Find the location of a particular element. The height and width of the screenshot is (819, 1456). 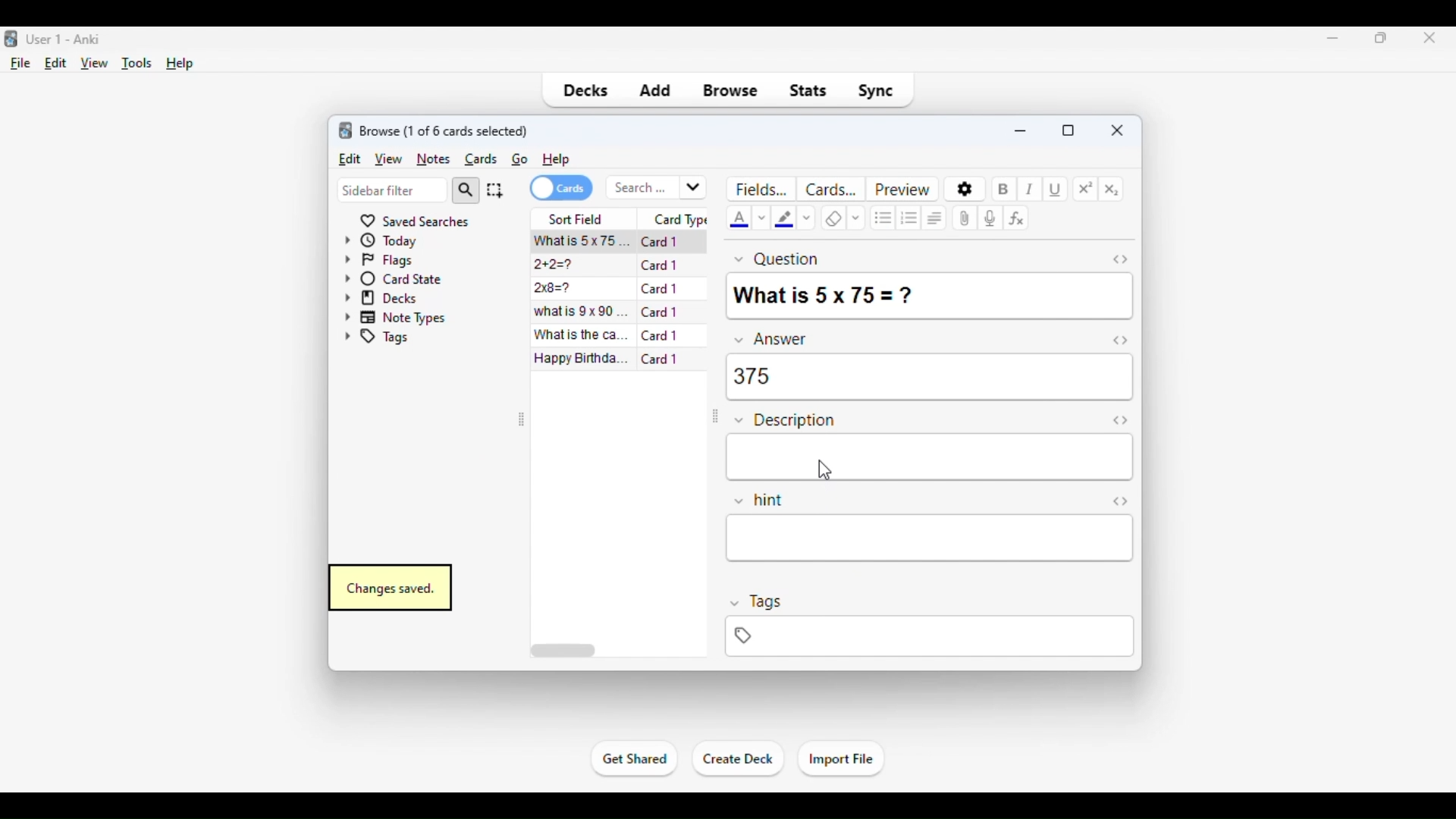

notes is located at coordinates (433, 159).